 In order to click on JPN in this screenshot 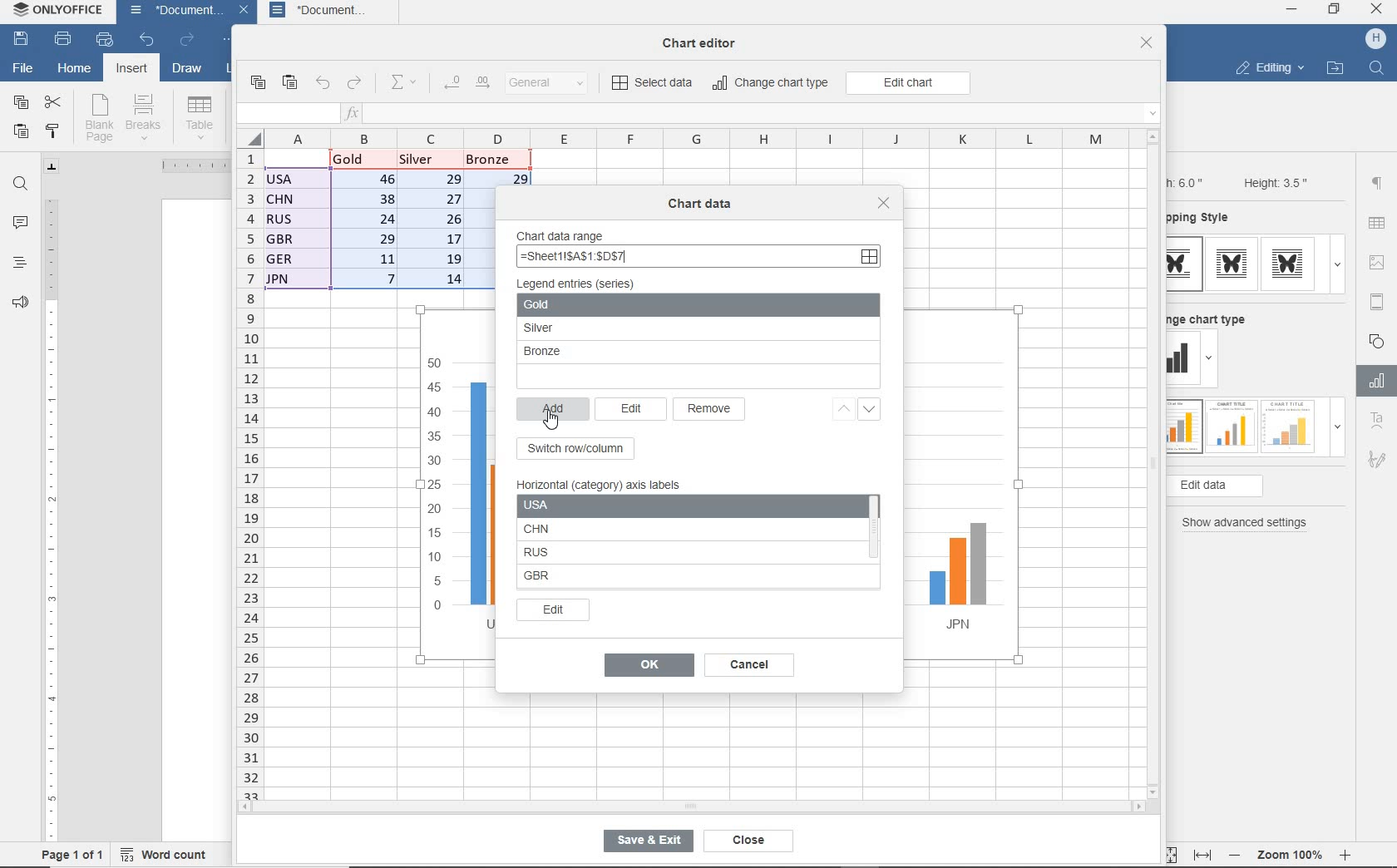, I will do `click(958, 580)`.